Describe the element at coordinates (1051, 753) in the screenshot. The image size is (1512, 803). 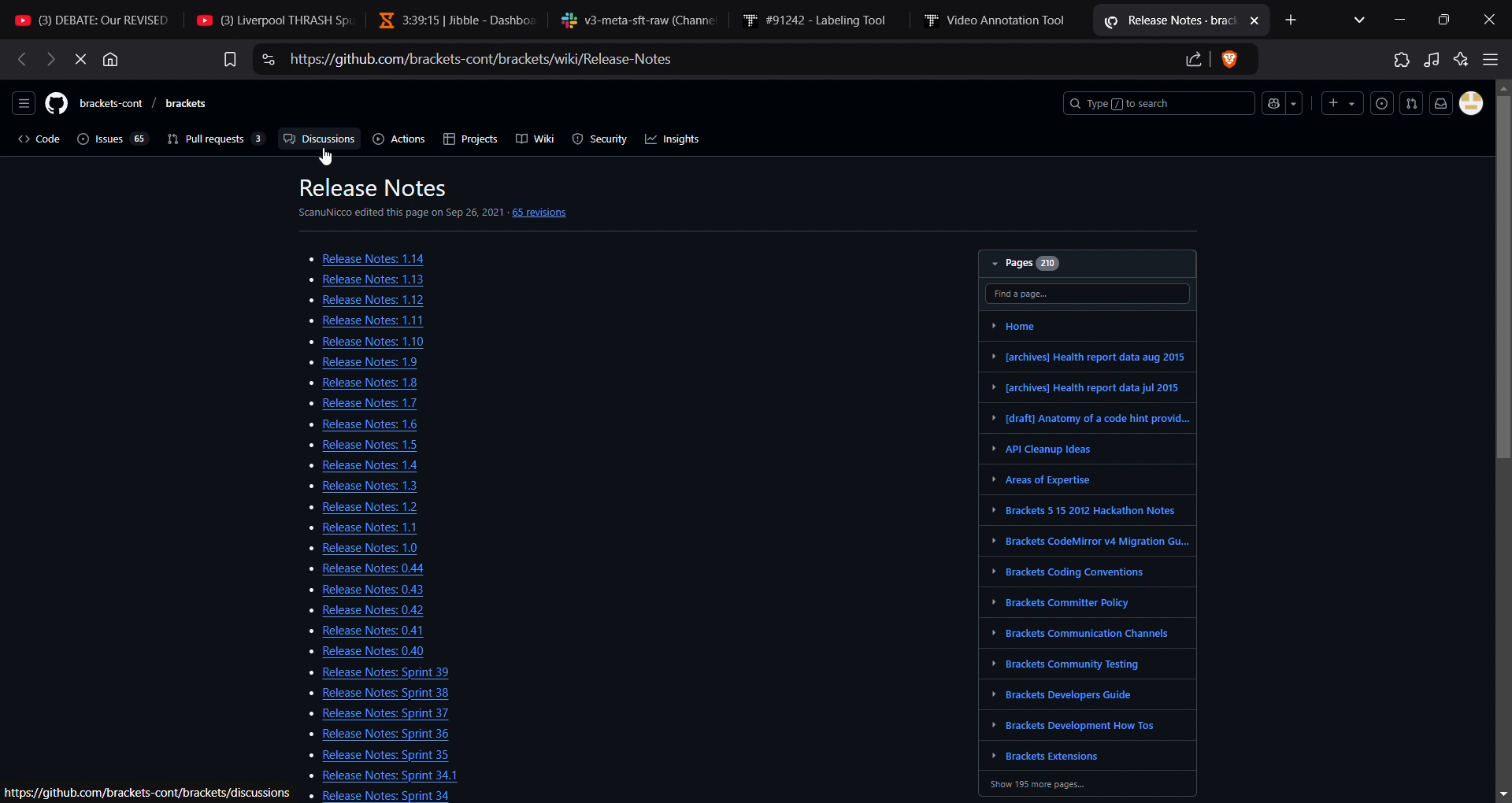
I see `brackets extensions` at that location.